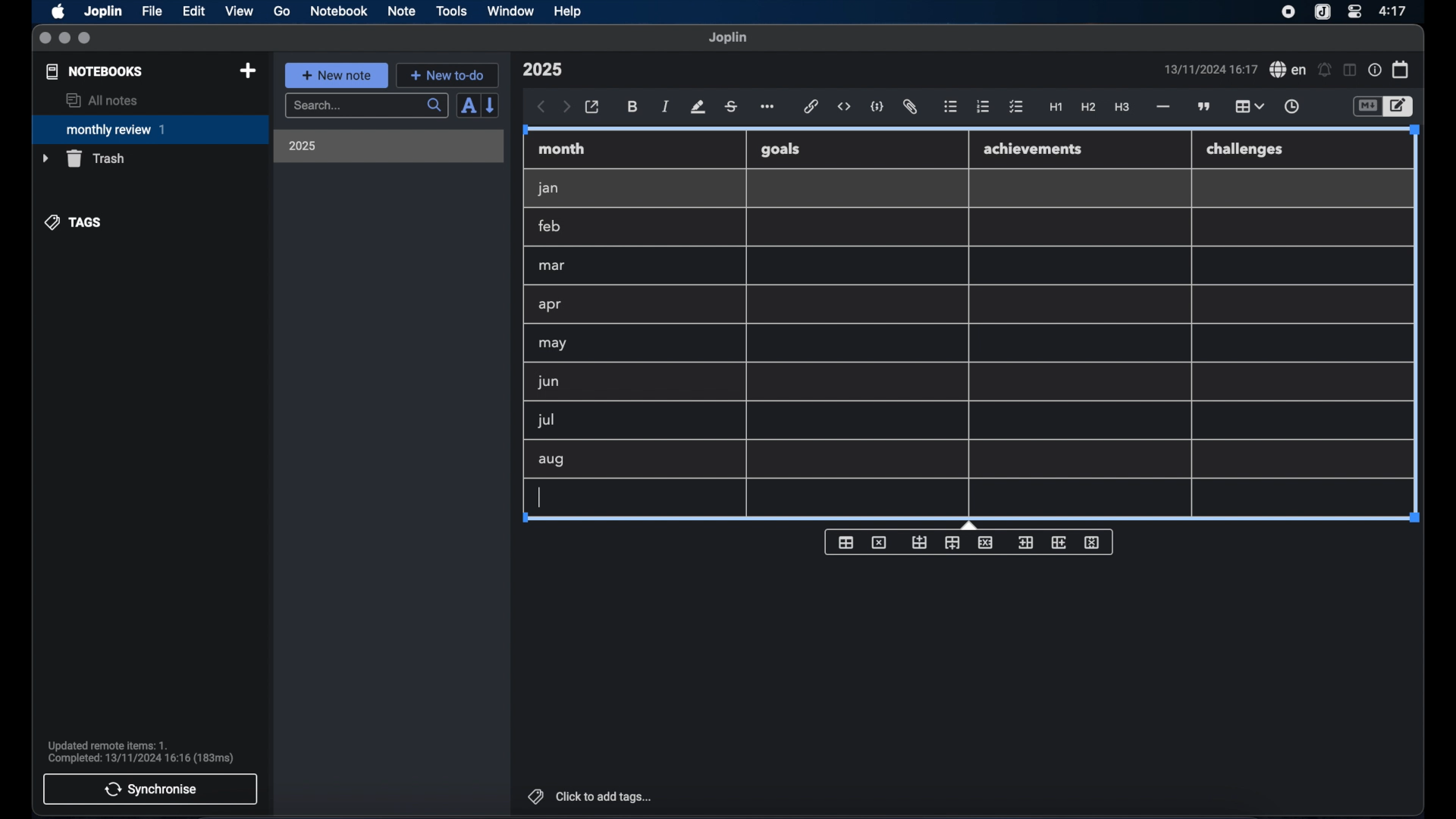 The width and height of the screenshot is (1456, 819). Describe the element at coordinates (920, 543) in the screenshot. I see `insert row before` at that location.